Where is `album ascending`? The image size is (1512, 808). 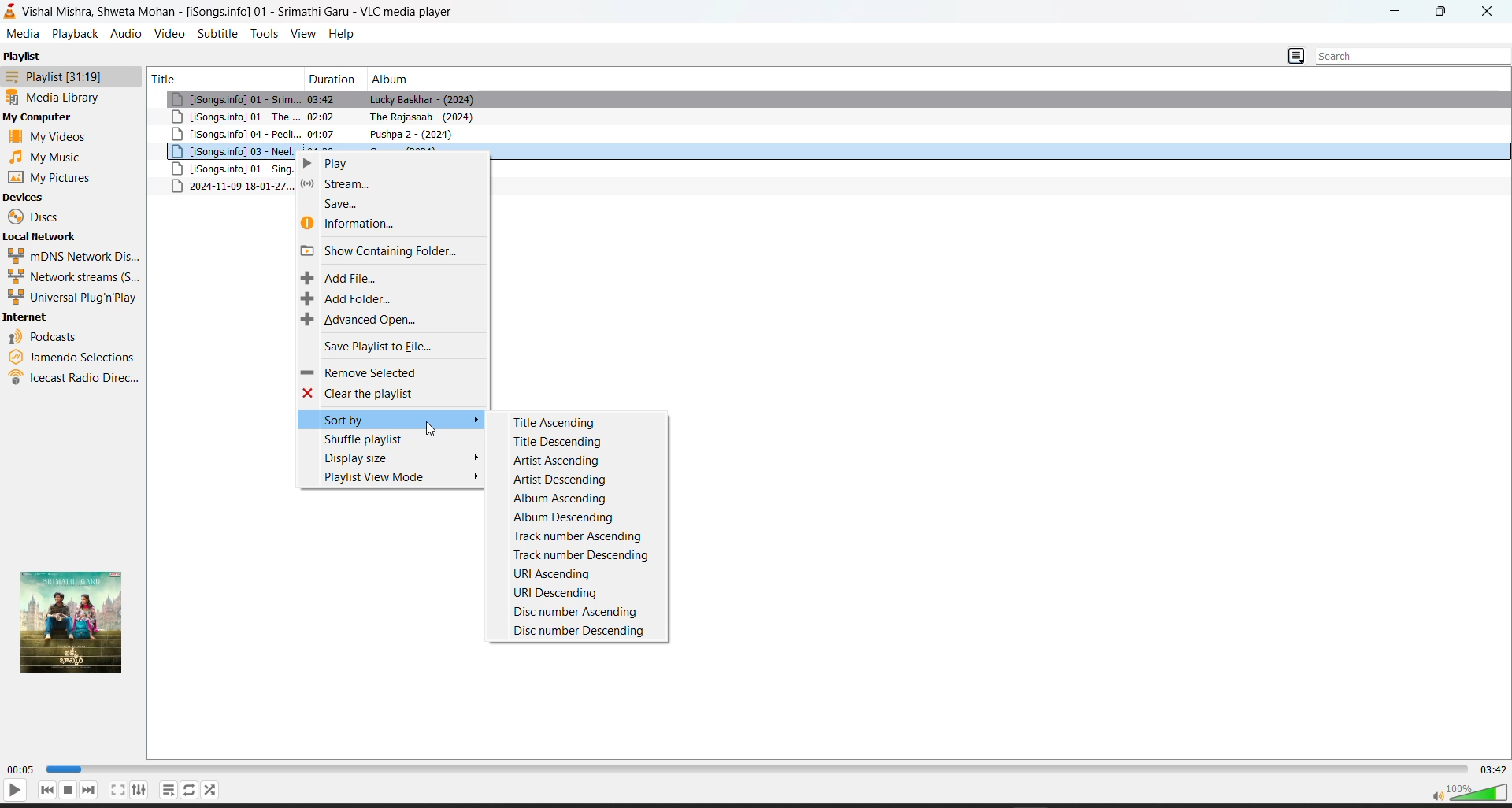
album ascending is located at coordinates (582, 497).